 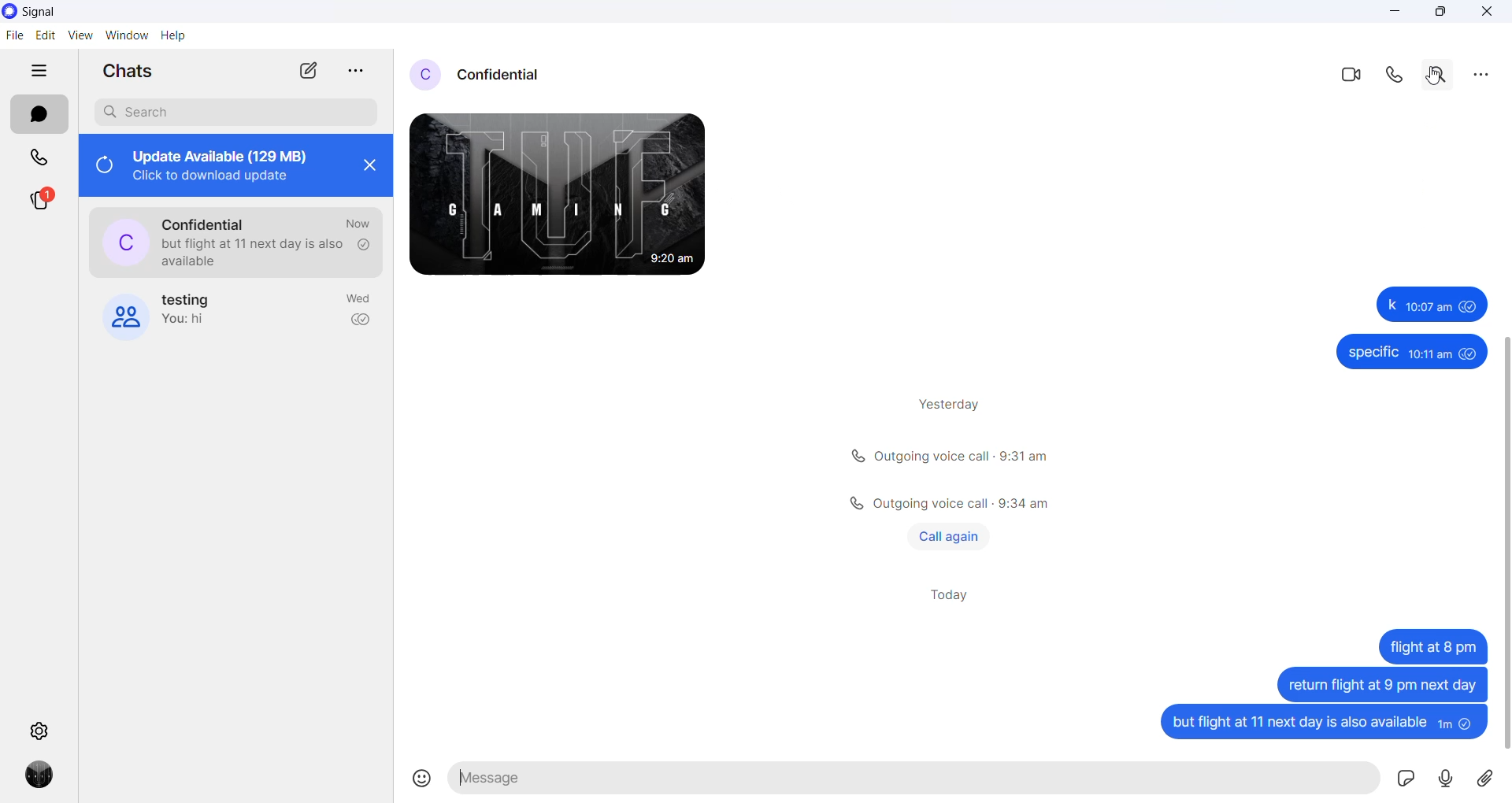 I want to click on Cursor, so click(x=1437, y=83).